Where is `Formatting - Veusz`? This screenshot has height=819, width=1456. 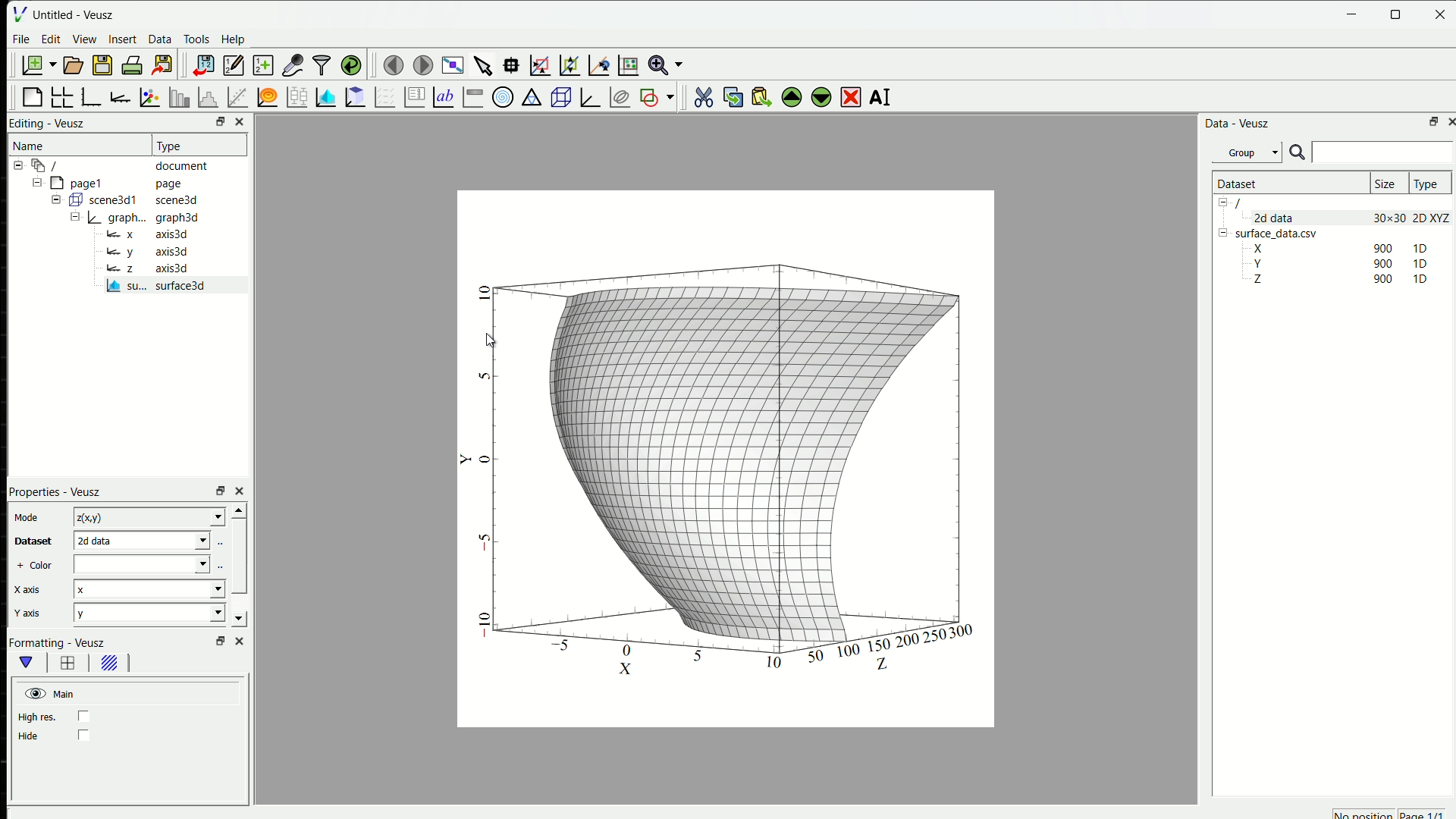 Formatting - Veusz is located at coordinates (57, 643).